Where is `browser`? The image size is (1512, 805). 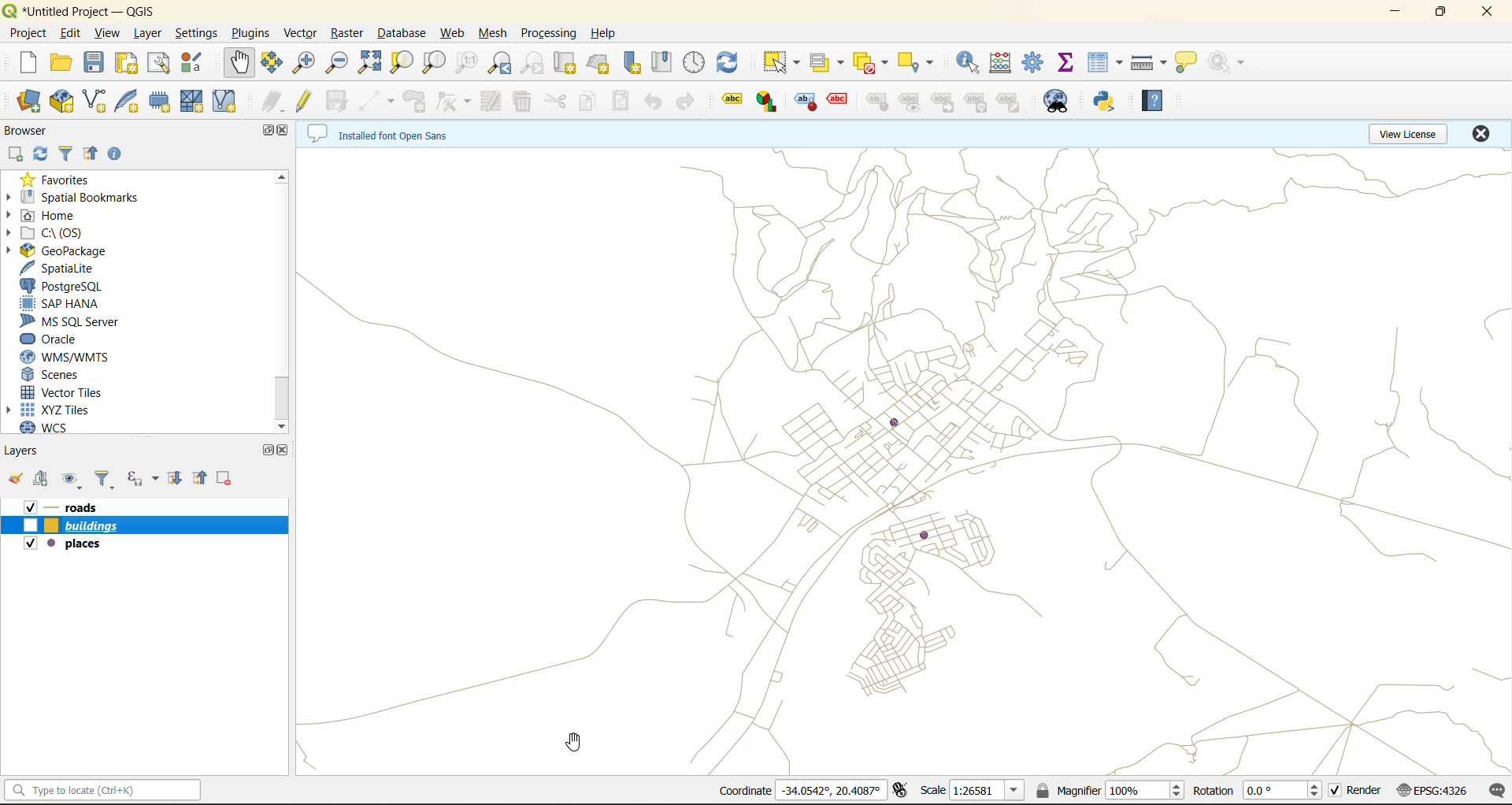 browser is located at coordinates (25, 129).